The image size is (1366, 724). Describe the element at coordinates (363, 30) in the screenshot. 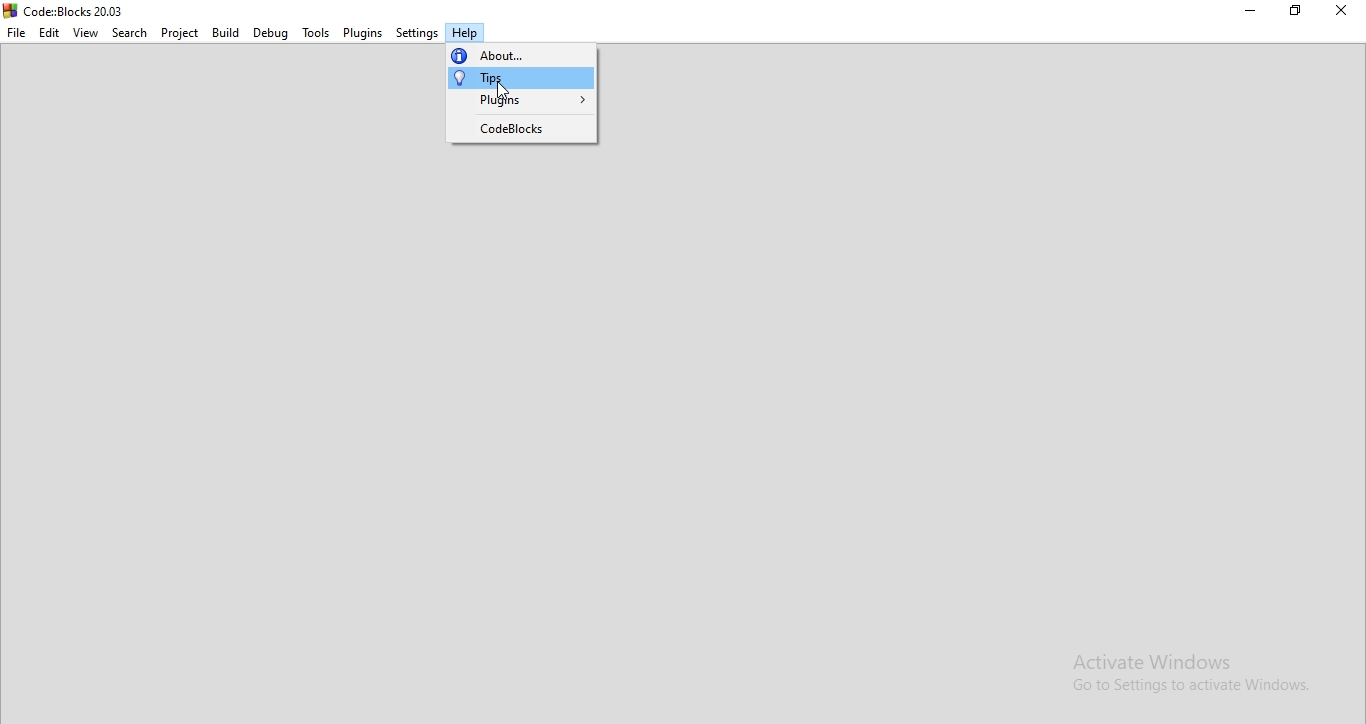

I see `Plugins ` at that location.